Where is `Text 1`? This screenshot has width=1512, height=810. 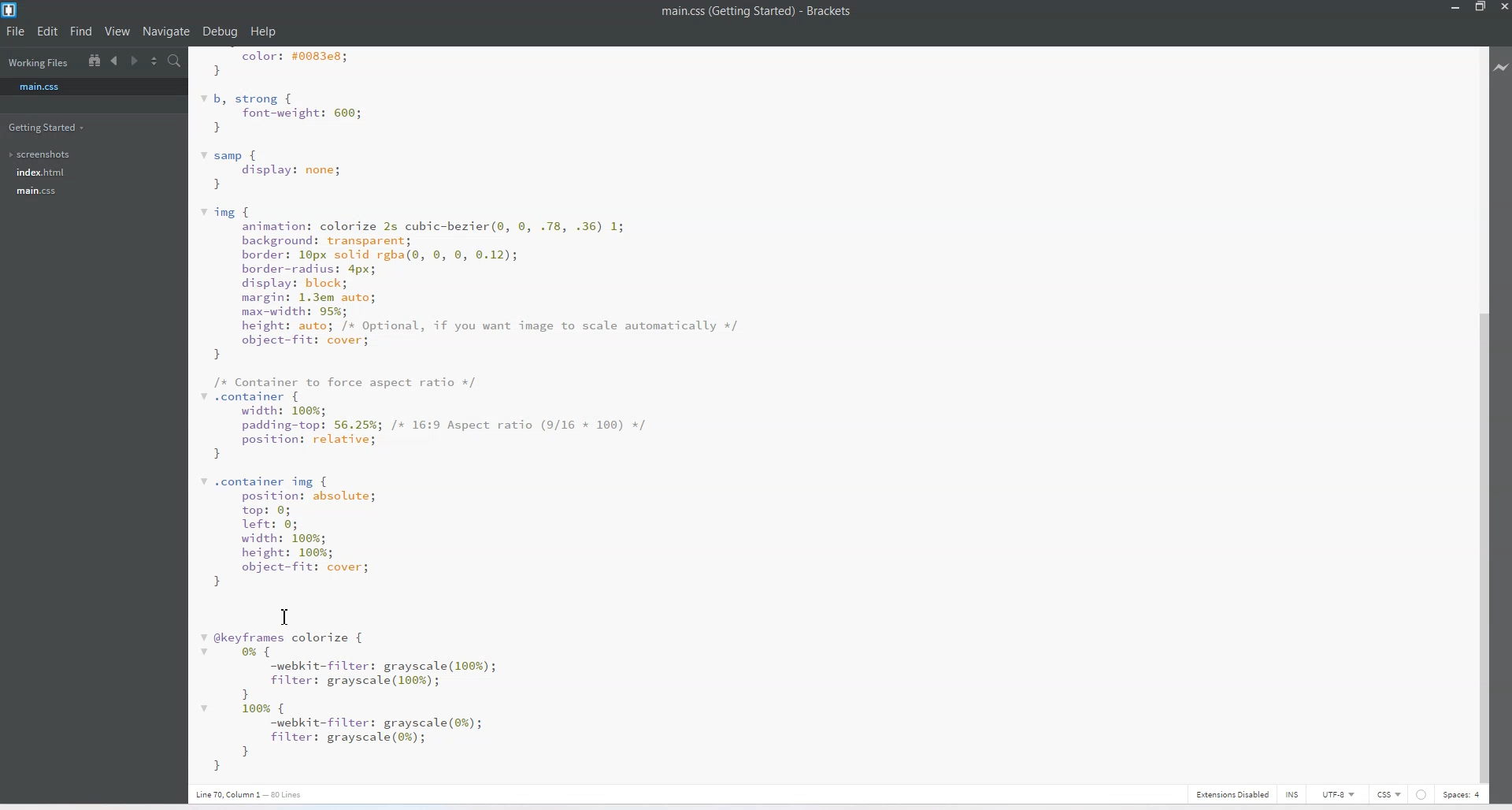
Text 1 is located at coordinates (487, 414).